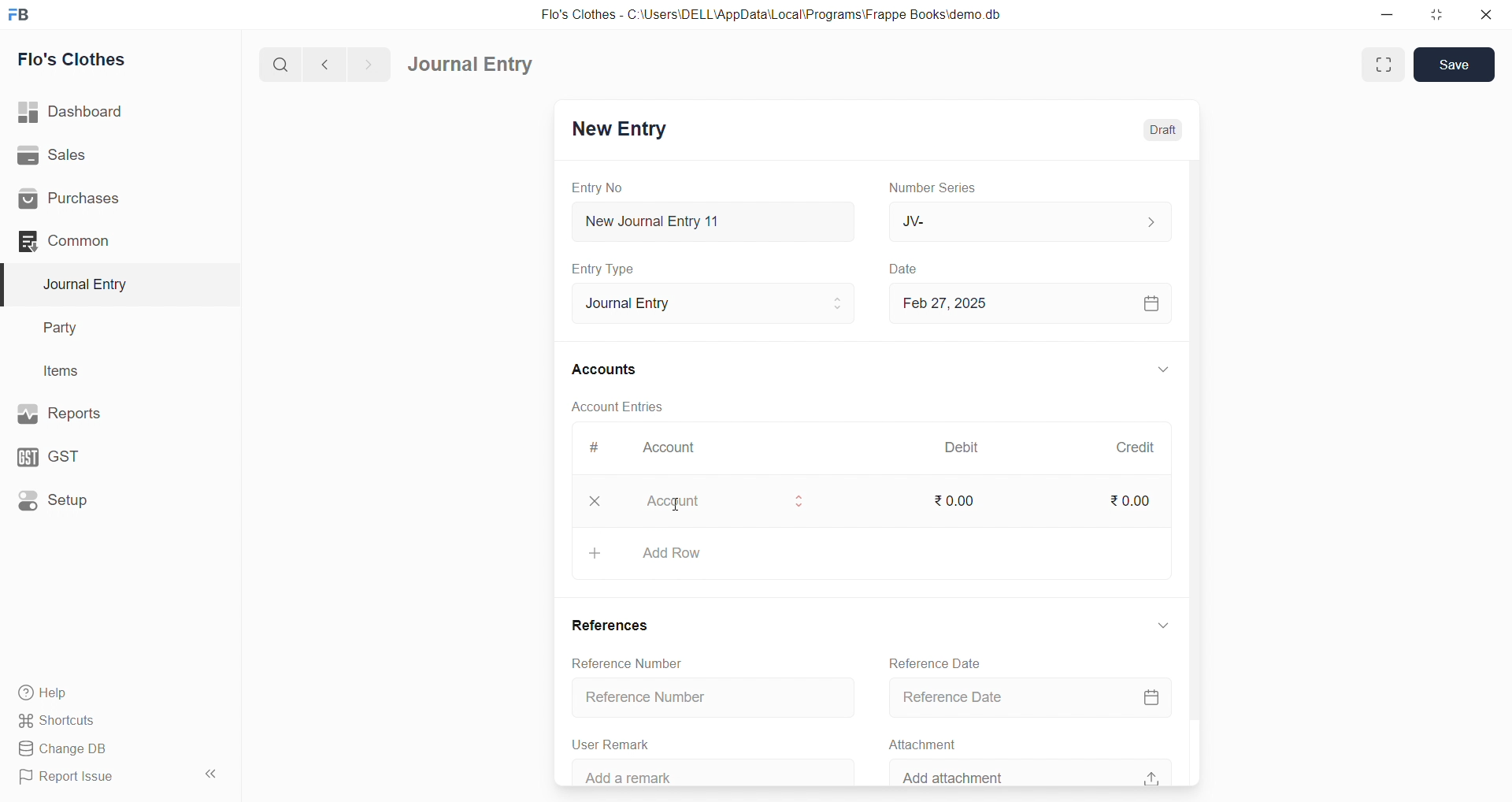 The height and width of the screenshot is (802, 1512). I want to click on Journal Entry, so click(715, 303).